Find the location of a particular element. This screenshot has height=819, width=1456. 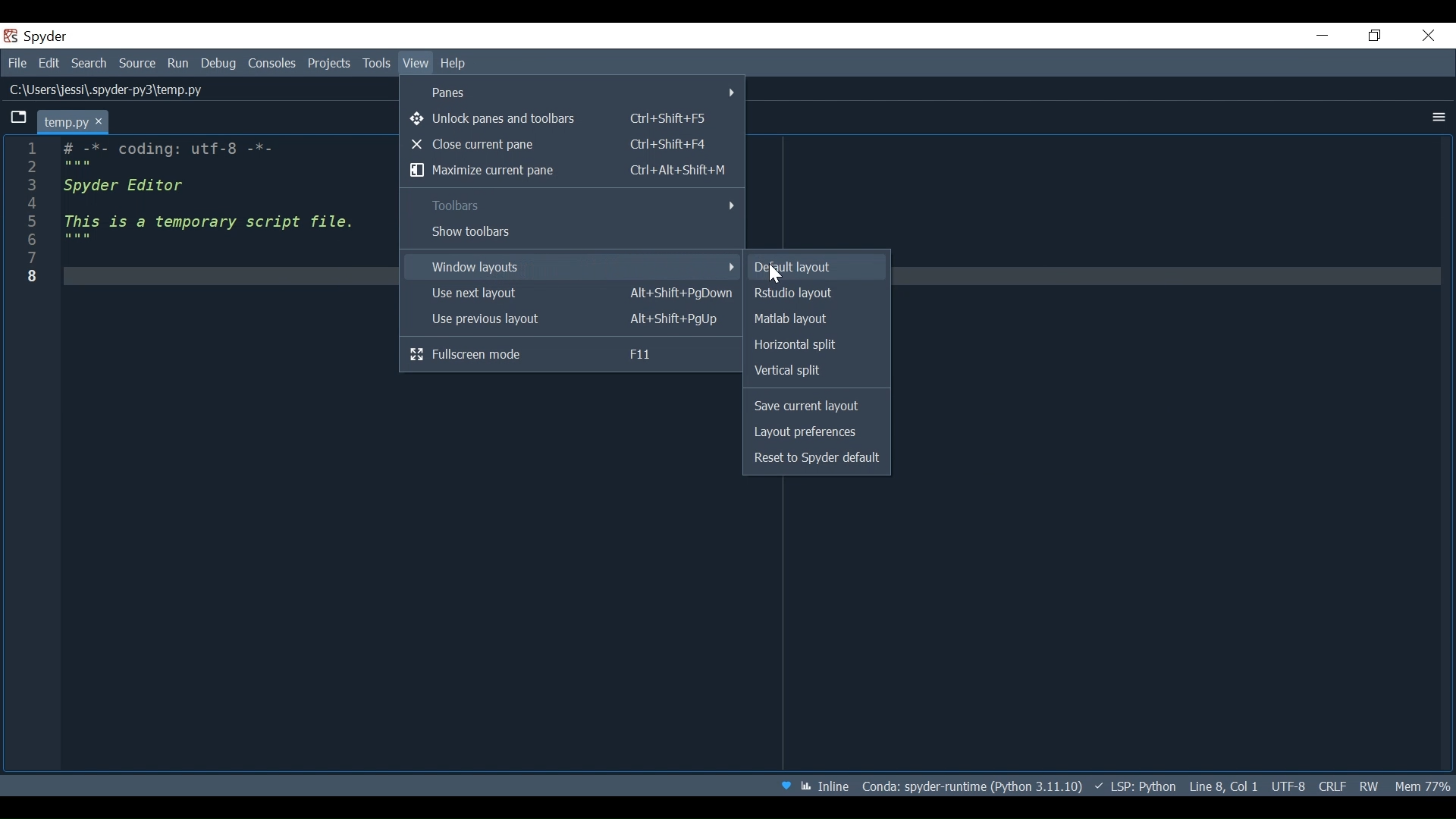

Tools is located at coordinates (376, 64).